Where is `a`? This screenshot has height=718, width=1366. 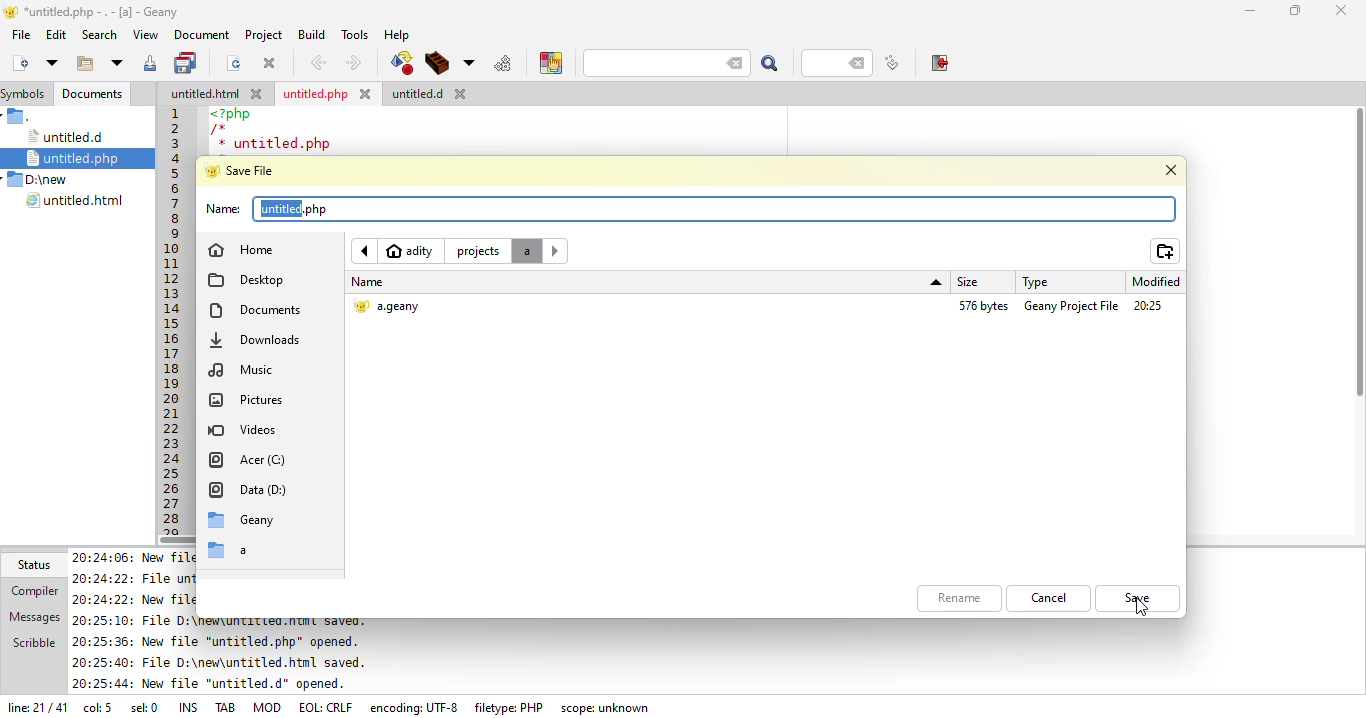 a is located at coordinates (235, 552).